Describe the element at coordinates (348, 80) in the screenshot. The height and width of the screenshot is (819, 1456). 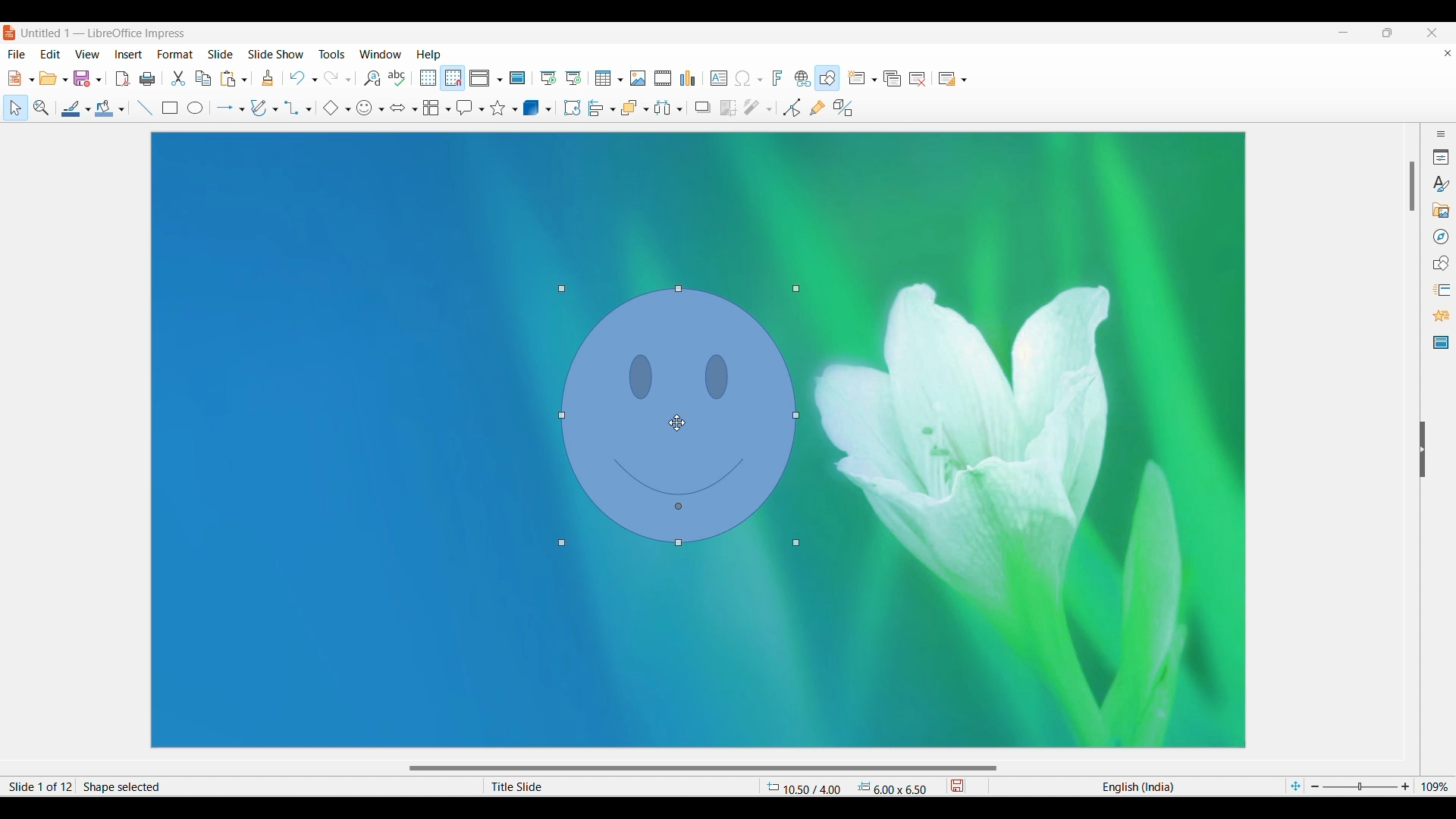
I see `Redo specific action` at that location.